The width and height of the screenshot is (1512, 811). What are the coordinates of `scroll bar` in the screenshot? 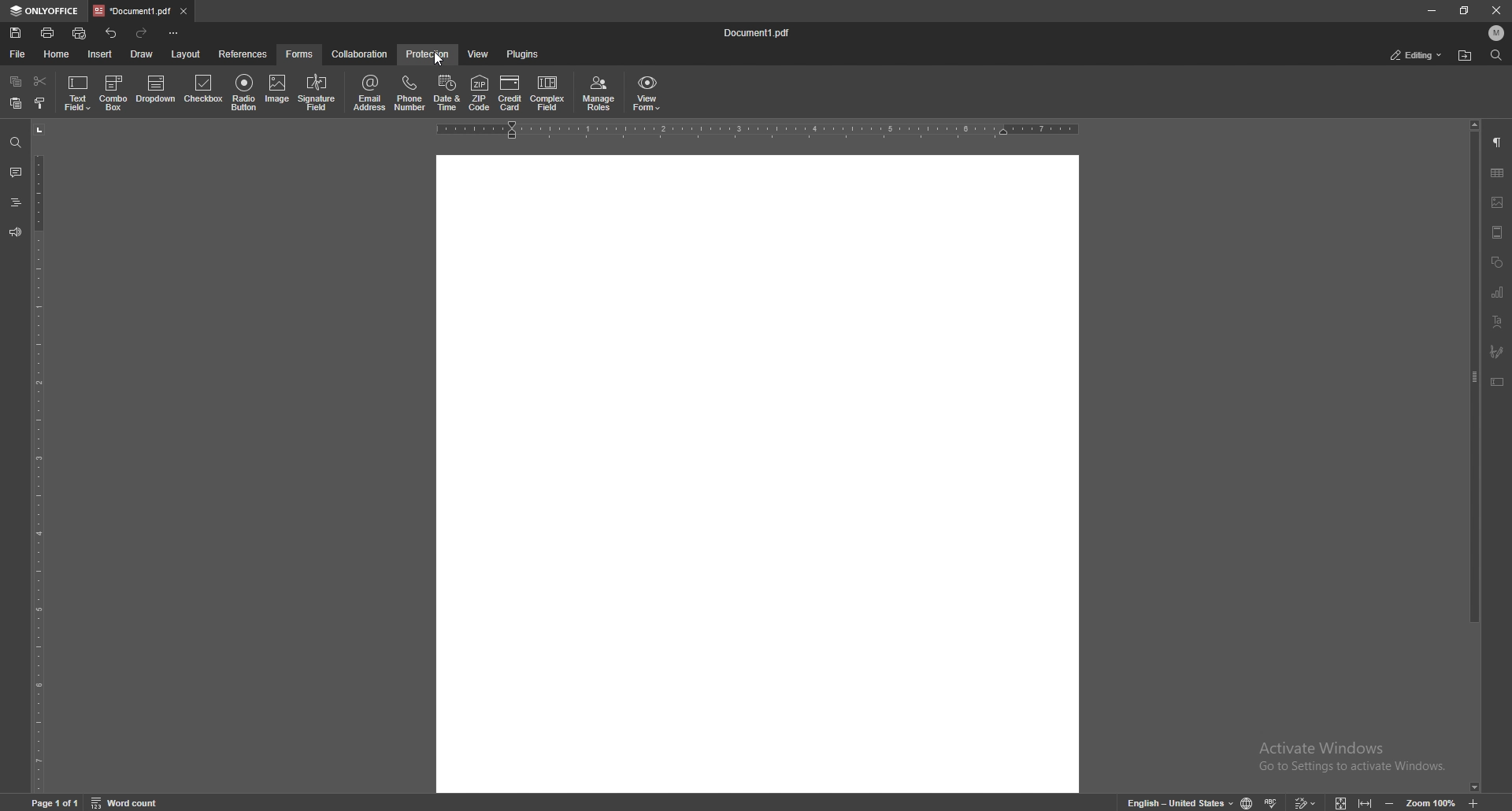 It's located at (1475, 457).